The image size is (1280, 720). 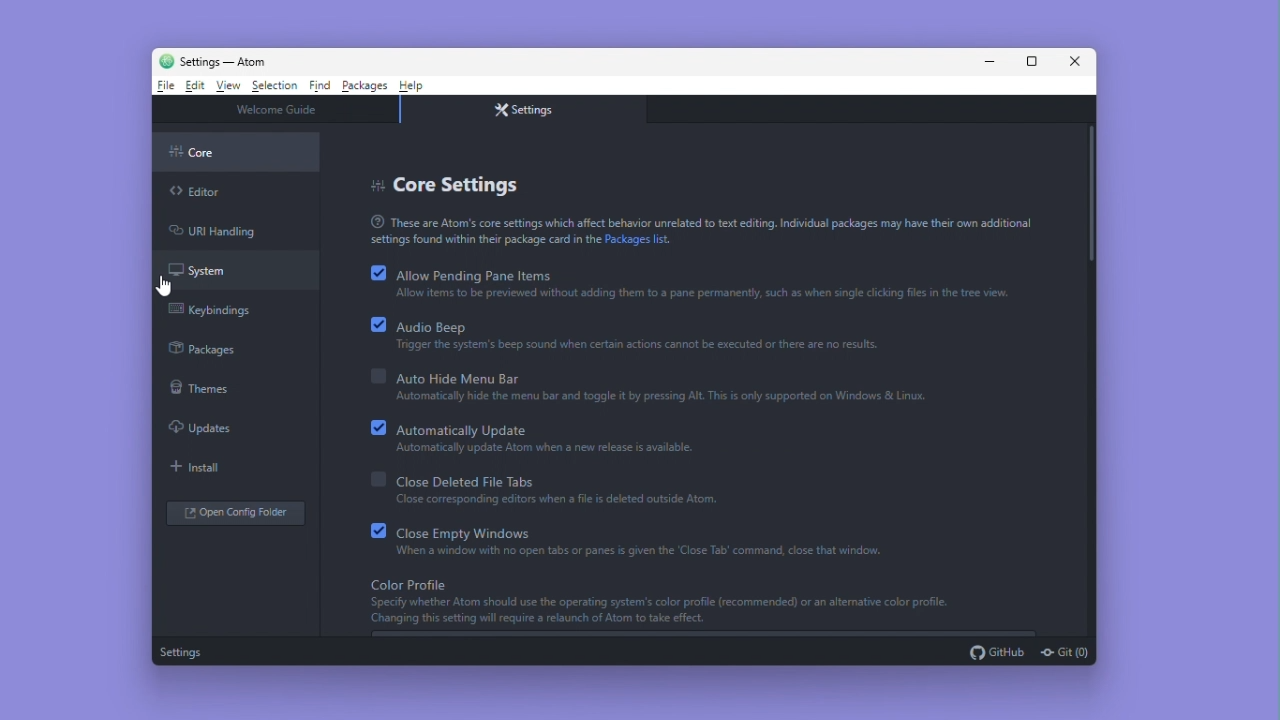 What do you see at coordinates (230, 85) in the screenshot?
I see `View` at bounding box center [230, 85].